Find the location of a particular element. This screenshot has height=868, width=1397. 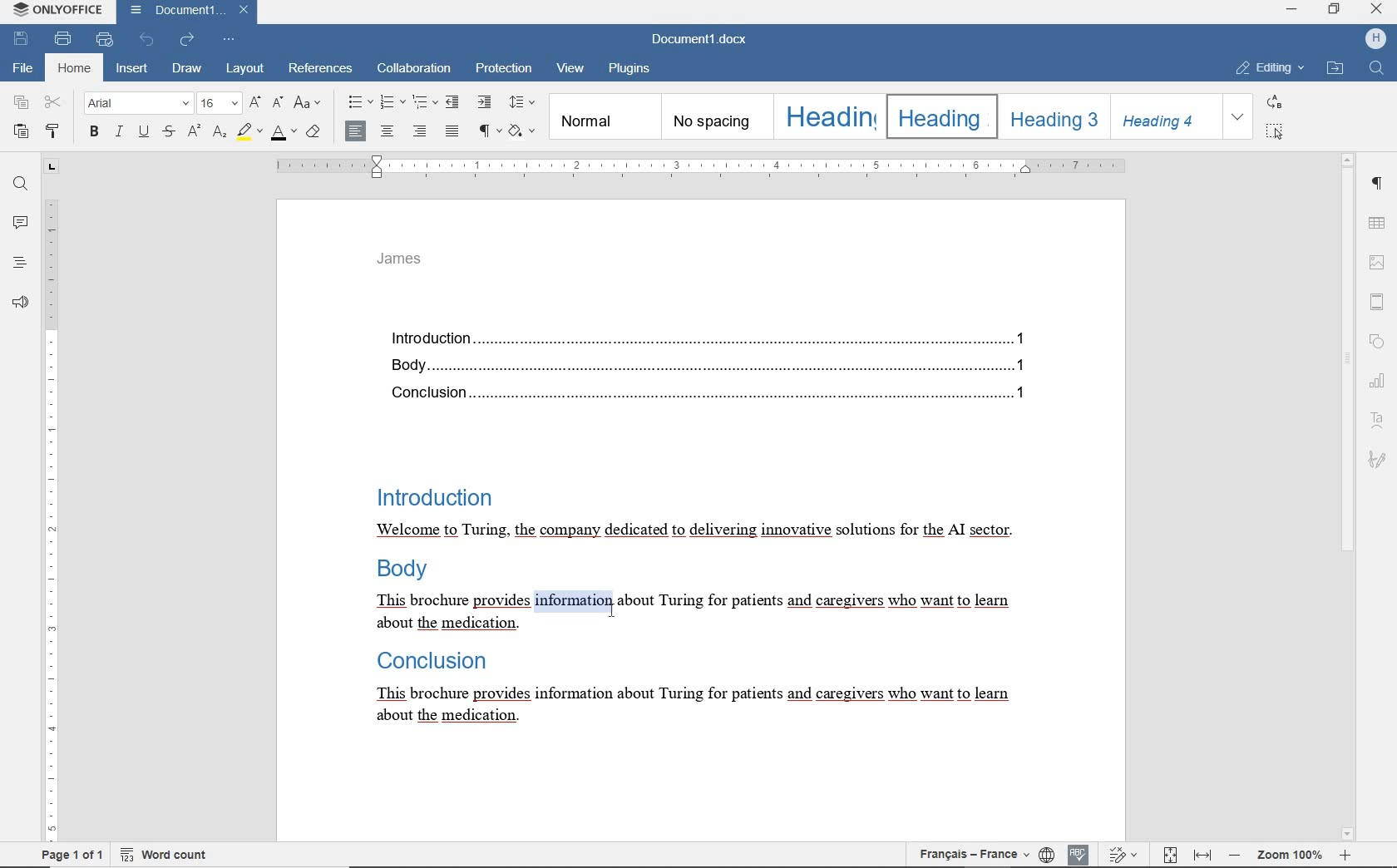

This brochure provides information about Turing for patients and caregivers who want to learn
about the medication. is located at coordinates (692, 613).